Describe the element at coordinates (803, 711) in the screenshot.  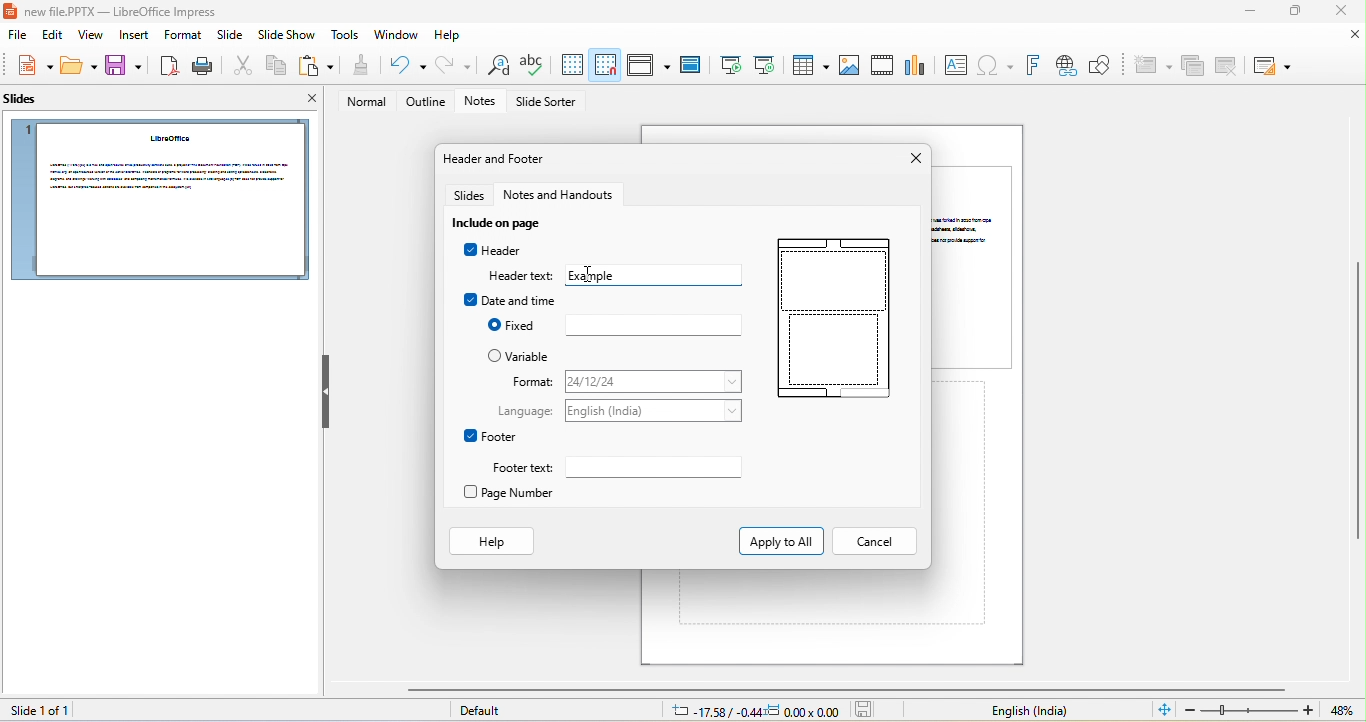
I see `dimension: 0.00x0.00` at that location.